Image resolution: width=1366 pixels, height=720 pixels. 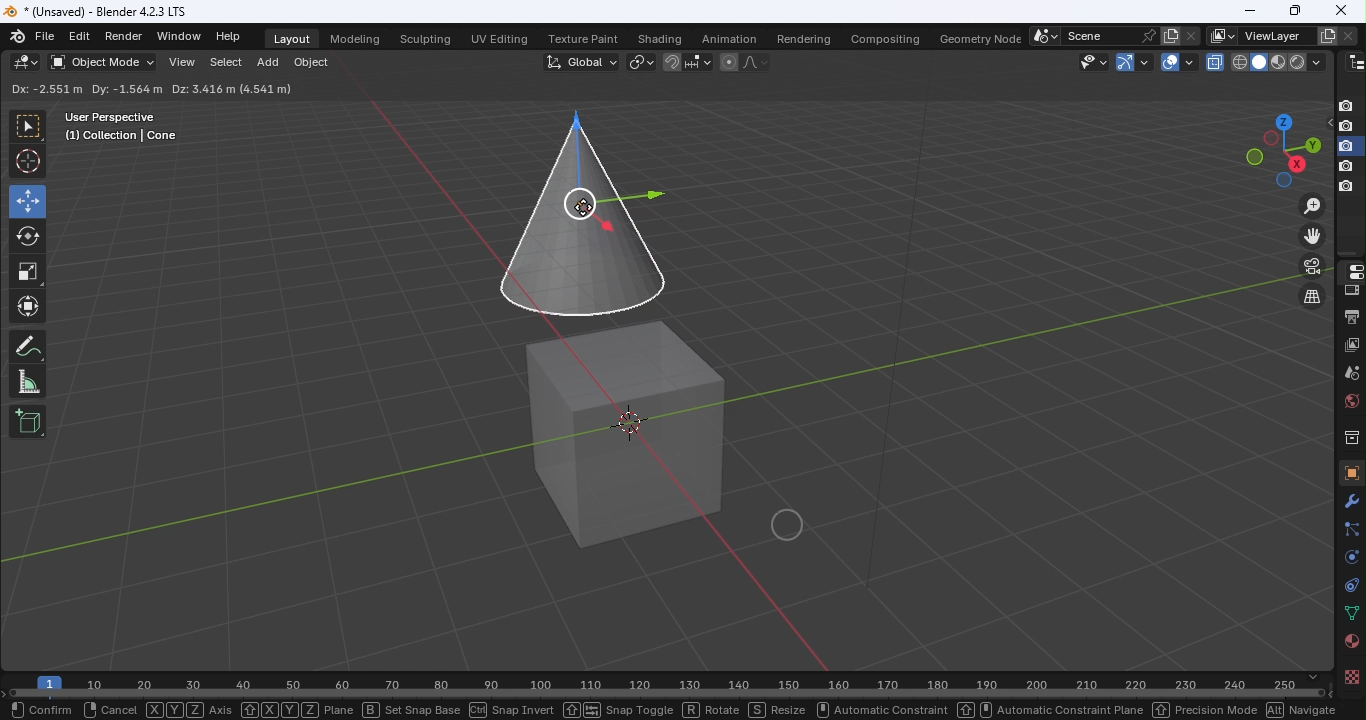 What do you see at coordinates (1351, 614) in the screenshot?
I see `Data` at bounding box center [1351, 614].